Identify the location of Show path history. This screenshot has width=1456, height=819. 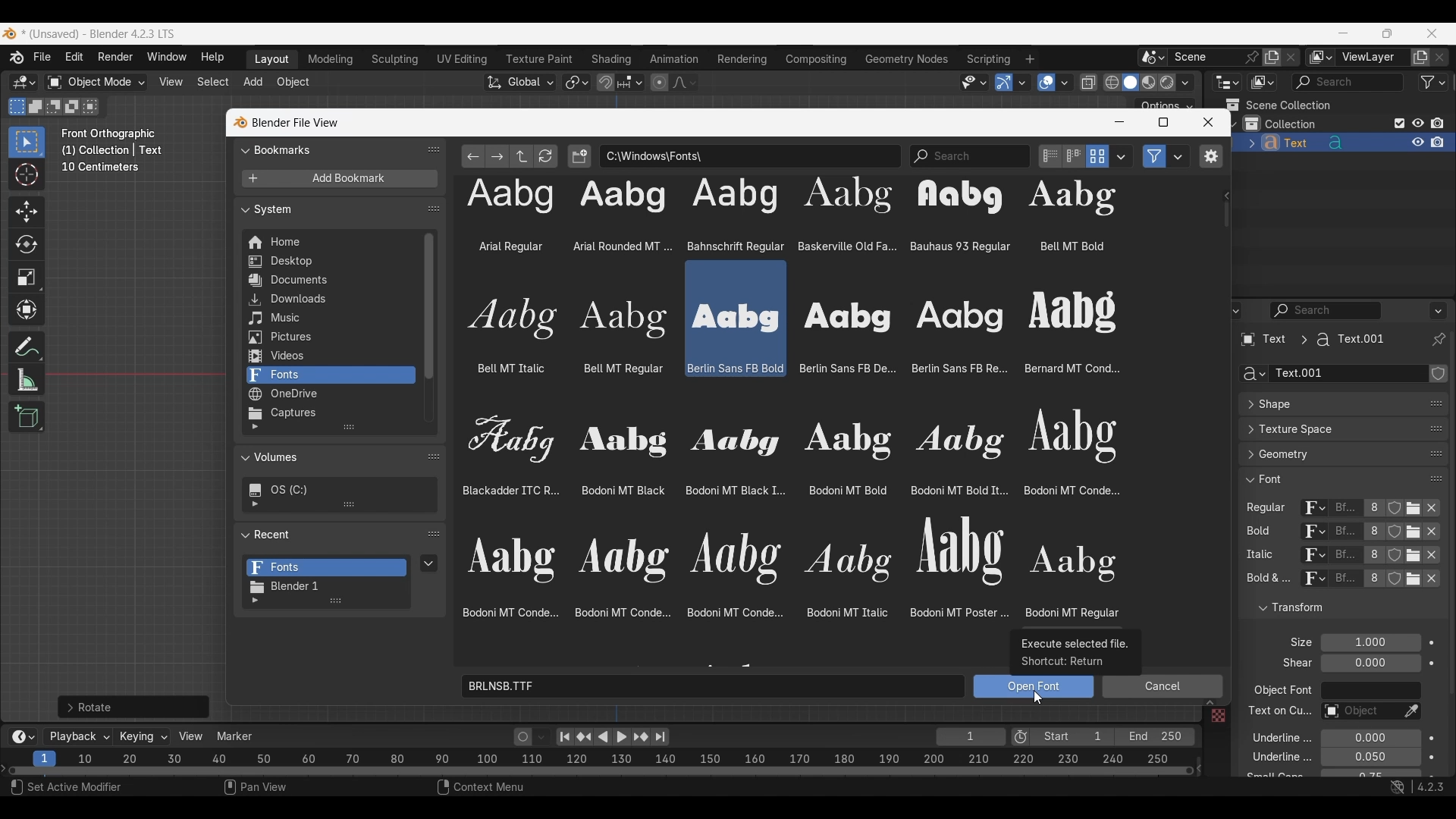
(1225, 196).